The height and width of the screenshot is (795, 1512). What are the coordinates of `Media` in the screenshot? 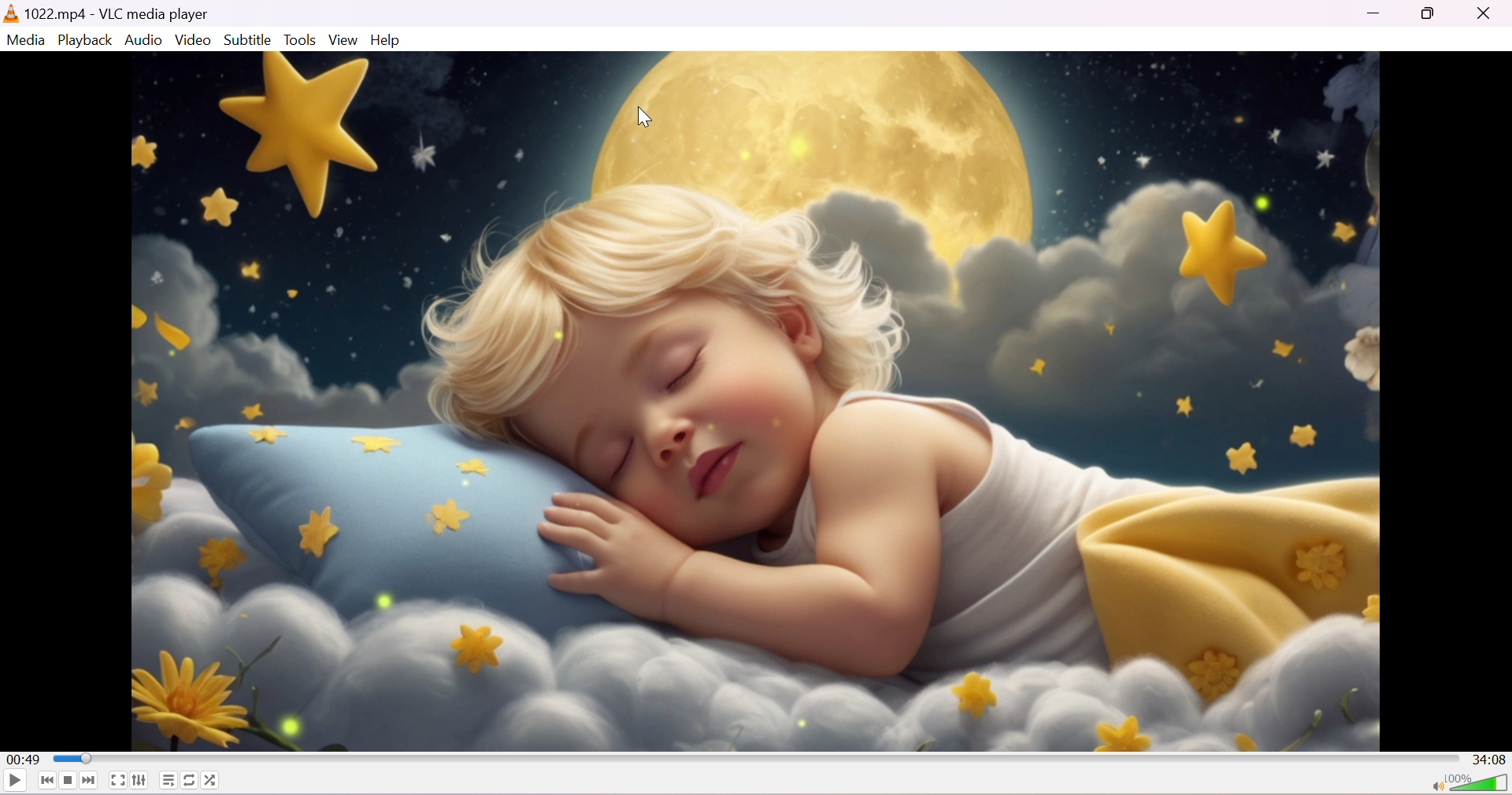 It's located at (27, 42).